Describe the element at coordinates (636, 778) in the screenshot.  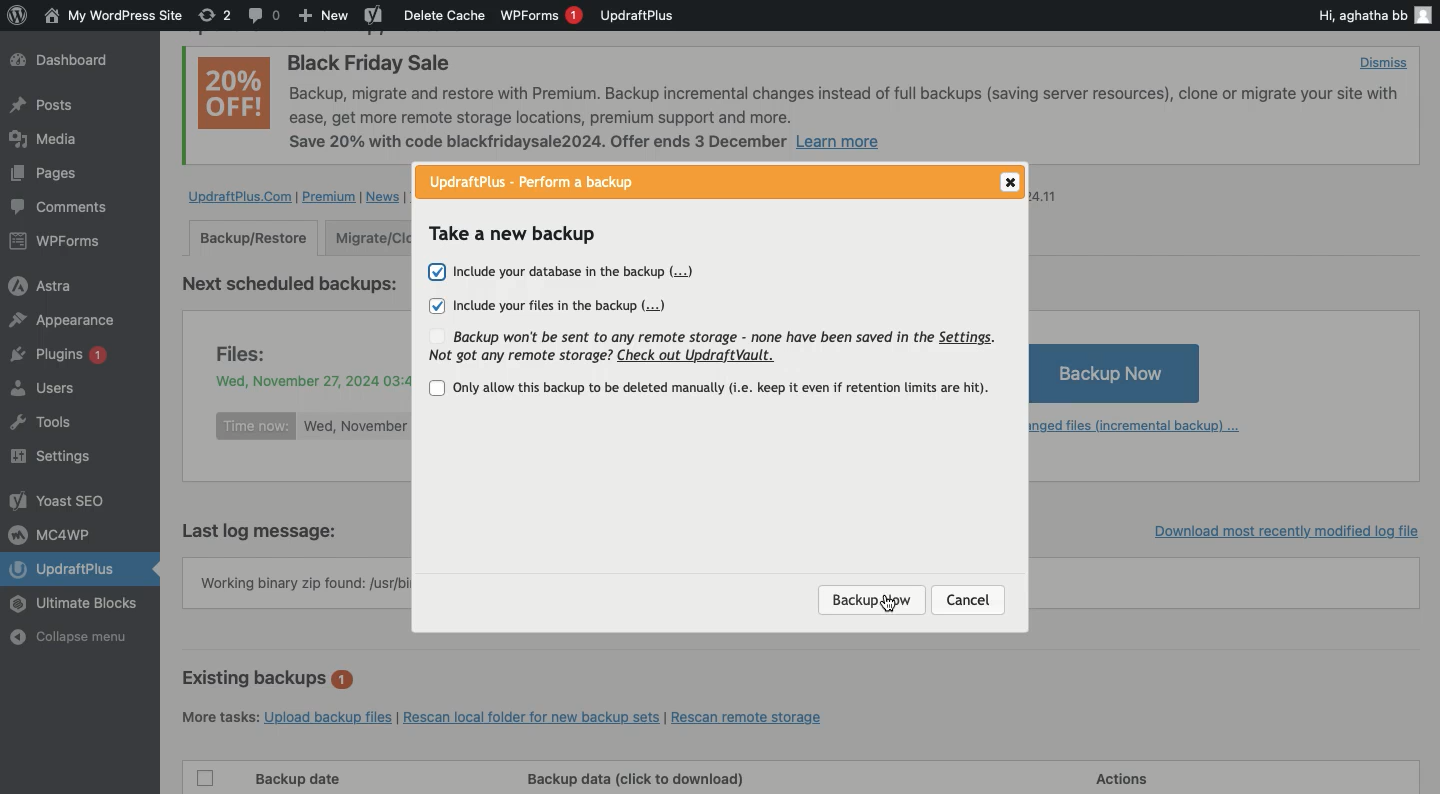
I see `Backup data (click to download)` at that location.